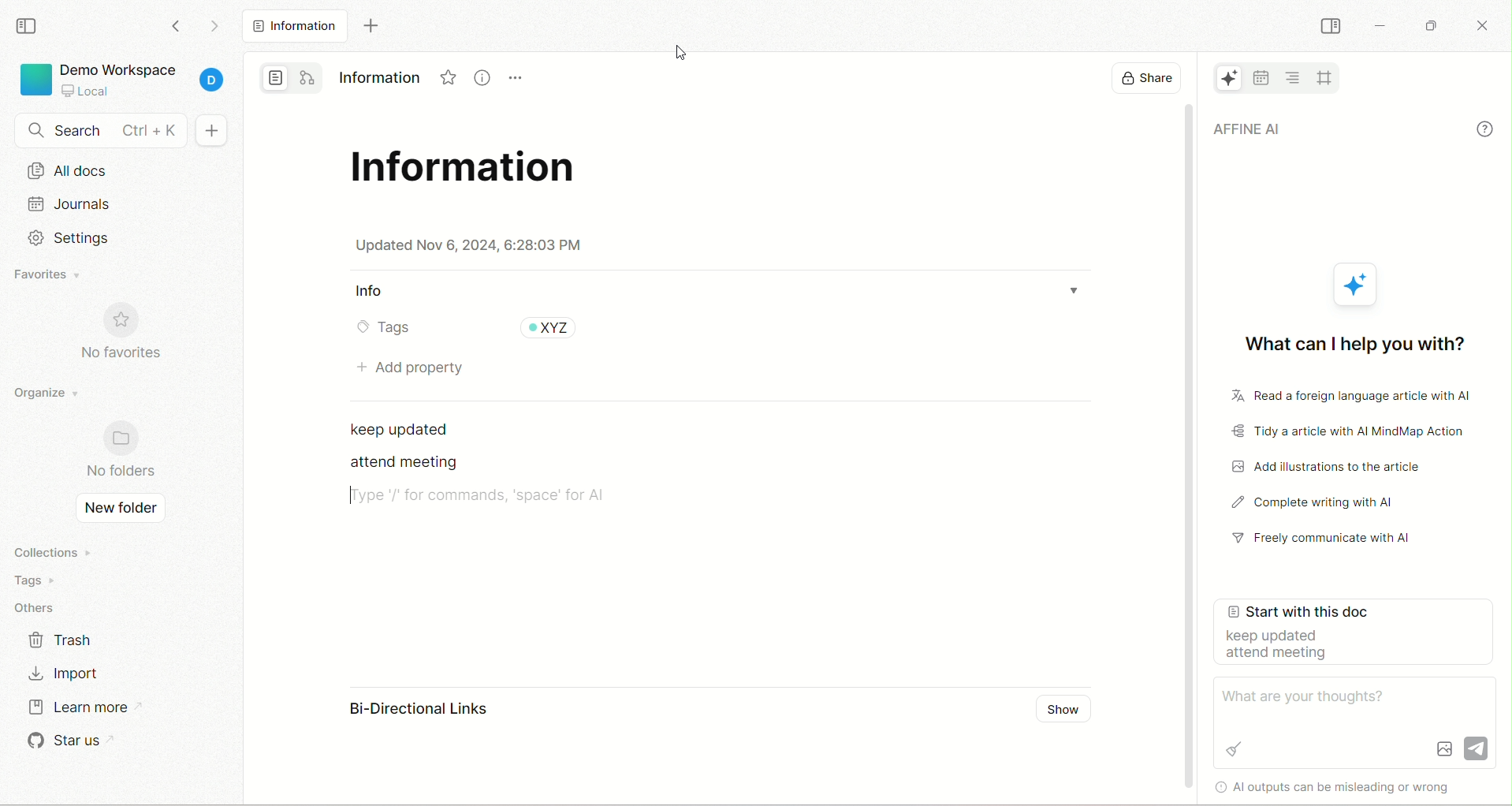 The width and height of the screenshot is (1512, 806). I want to click on logo, so click(34, 82).